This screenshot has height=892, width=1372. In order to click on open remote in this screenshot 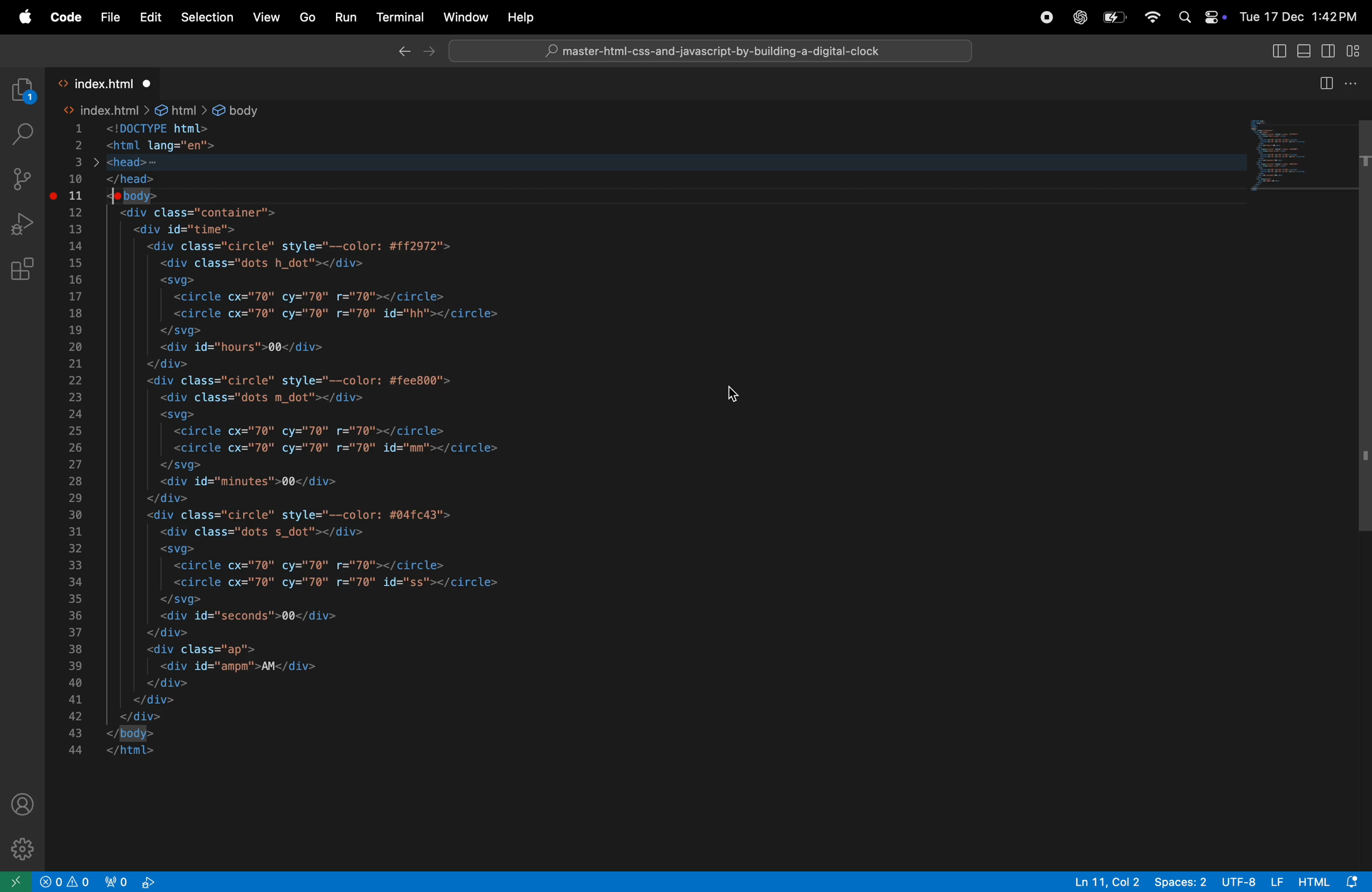, I will do `click(16, 880)`.